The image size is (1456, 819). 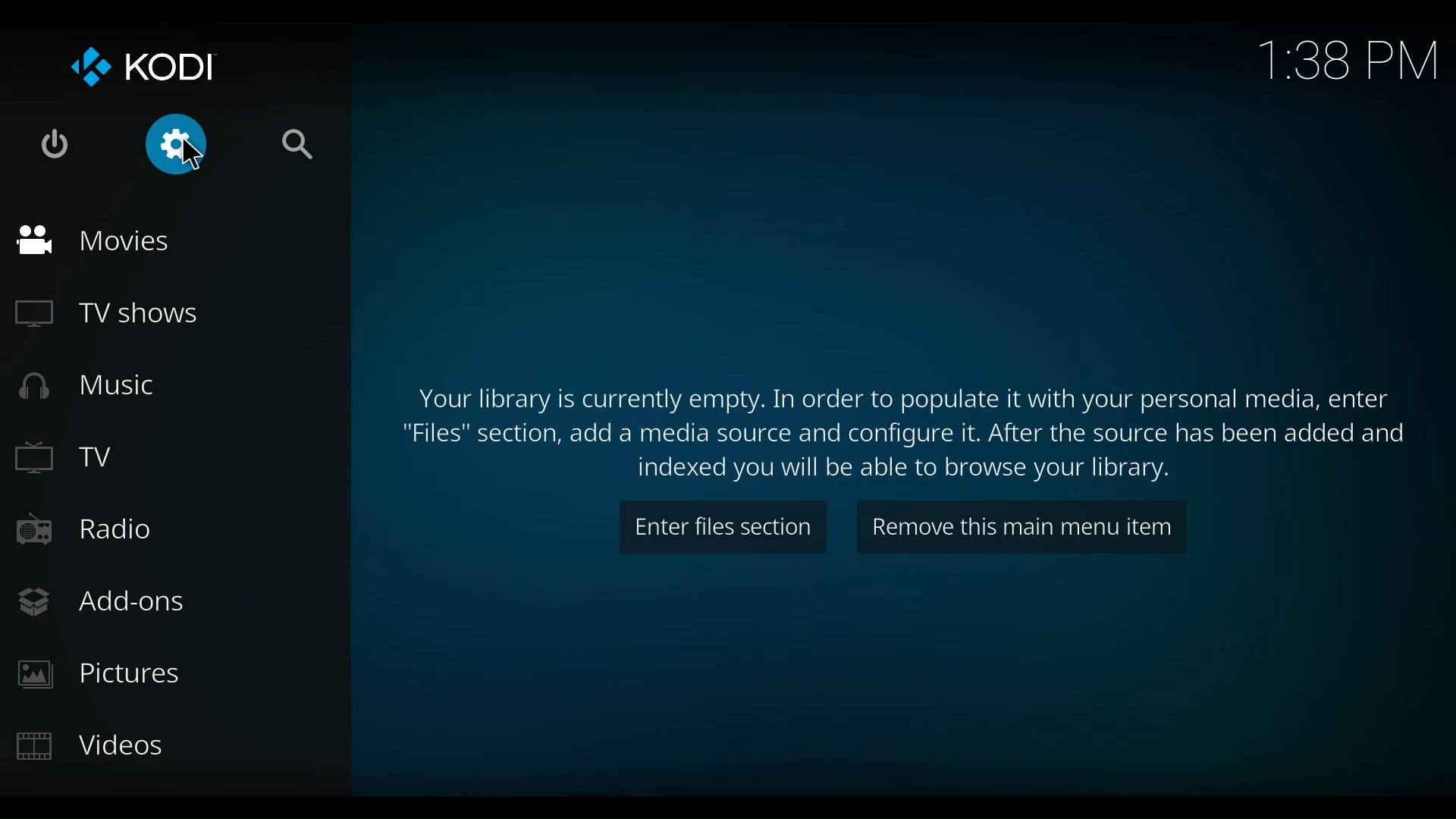 I want to click on Videos, so click(x=90, y=746).